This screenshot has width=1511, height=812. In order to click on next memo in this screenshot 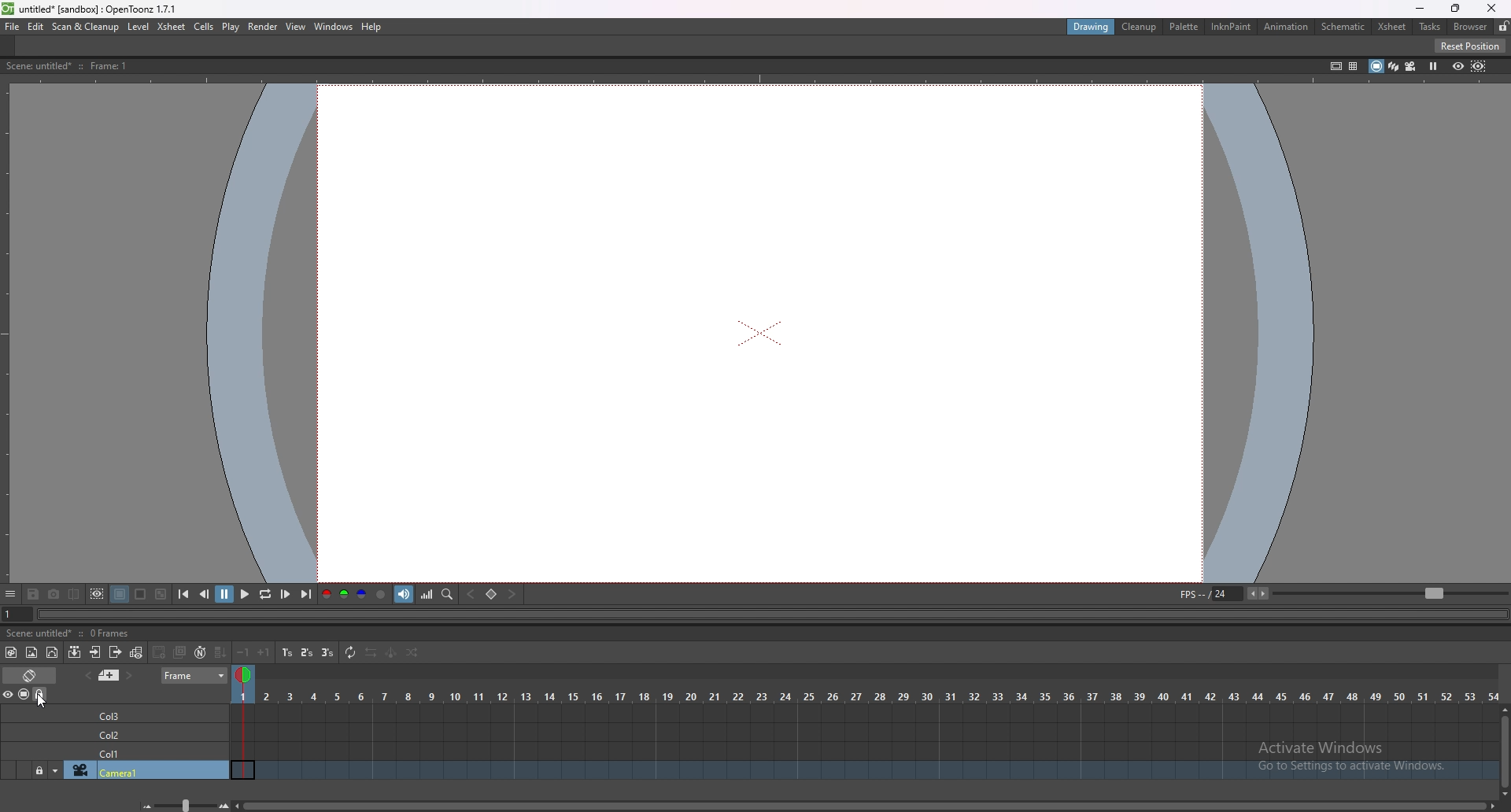, I will do `click(128, 676)`.